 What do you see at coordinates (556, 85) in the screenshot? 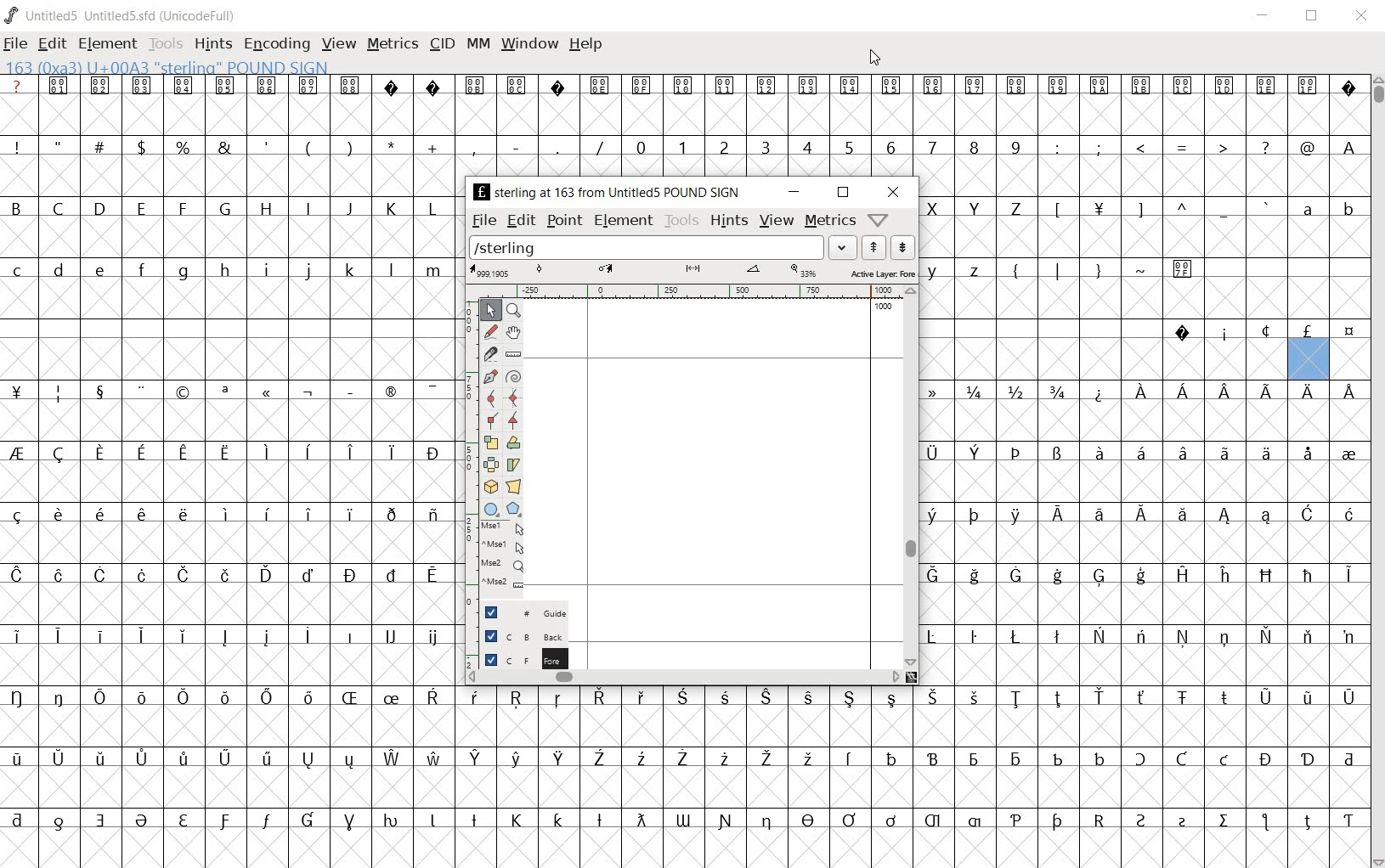
I see `Symbol` at bounding box center [556, 85].